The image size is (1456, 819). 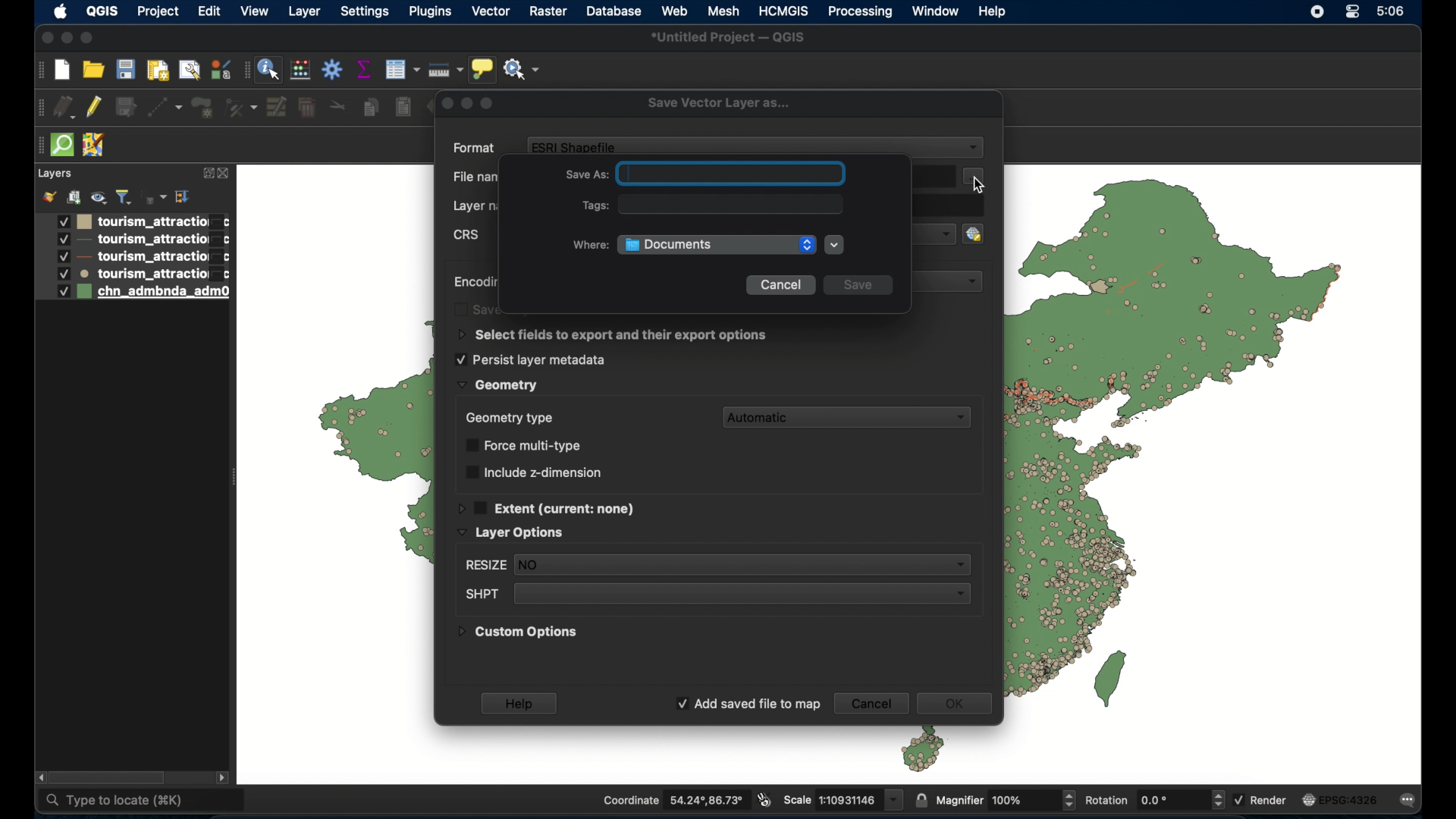 I want to click on paste features, so click(x=404, y=108).